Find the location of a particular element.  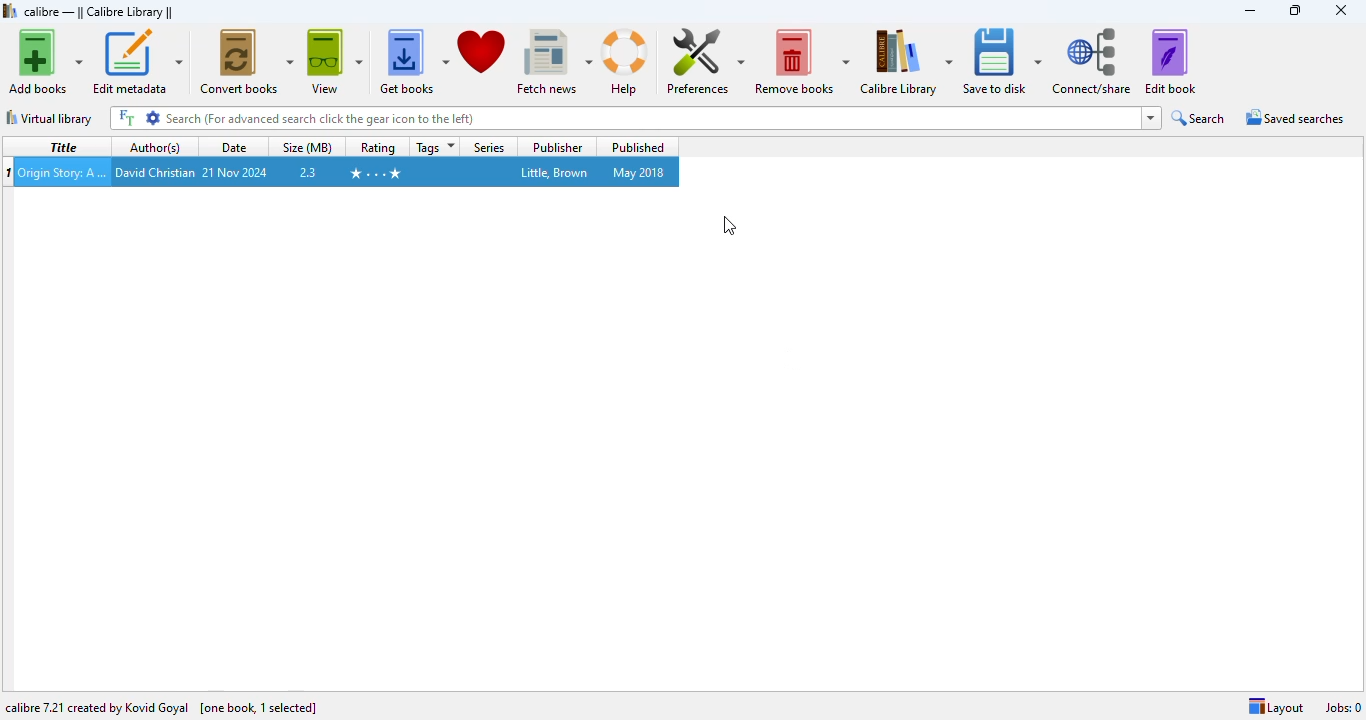

dropdown is located at coordinates (1153, 117).